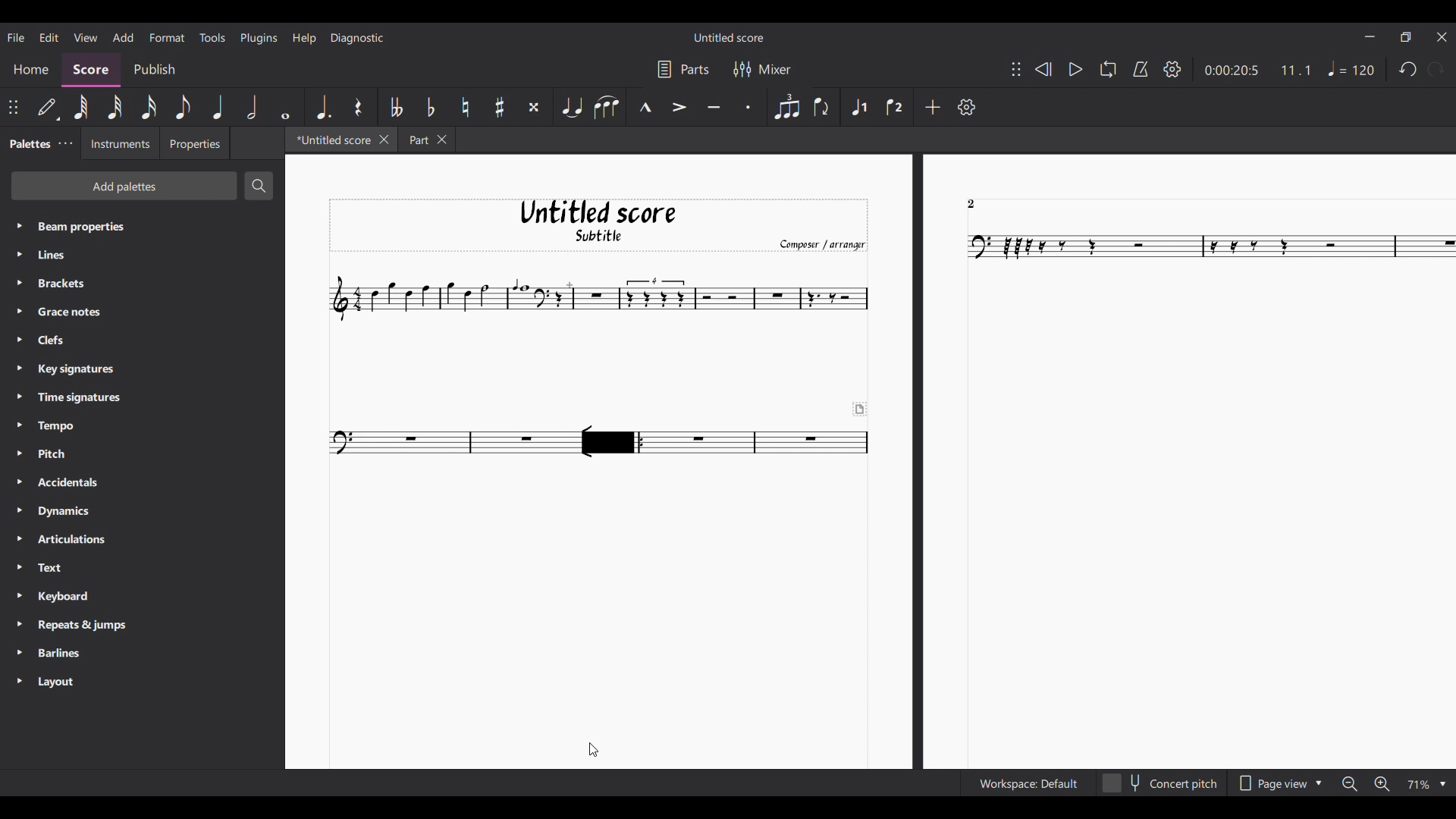 Image resolution: width=1456 pixels, height=819 pixels. Describe the element at coordinates (49, 108) in the screenshot. I see `Default` at that location.